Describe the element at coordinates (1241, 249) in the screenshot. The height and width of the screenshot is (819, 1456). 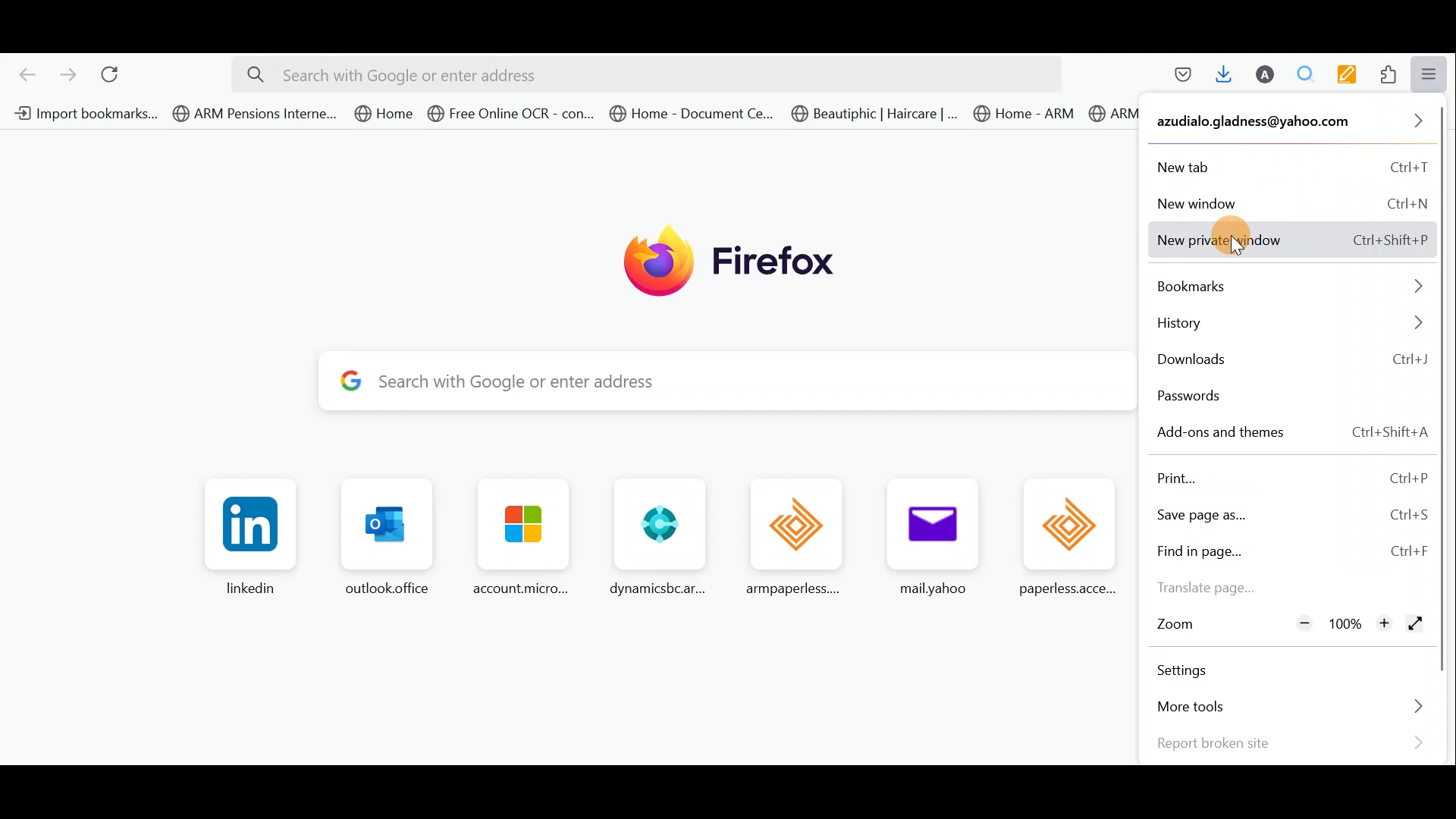
I see `cursor` at that location.